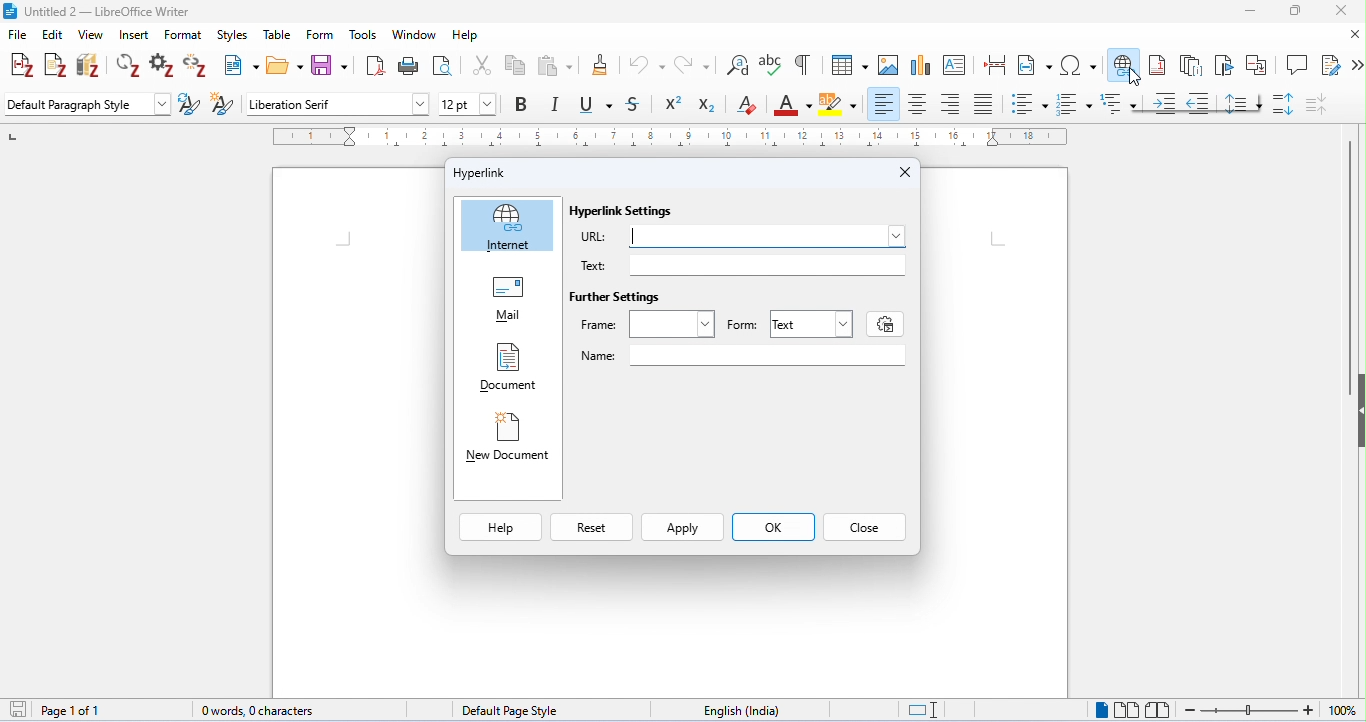 The width and height of the screenshot is (1366, 722). What do you see at coordinates (414, 35) in the screenshot?
I see `window` at bounding box center [414, 35].